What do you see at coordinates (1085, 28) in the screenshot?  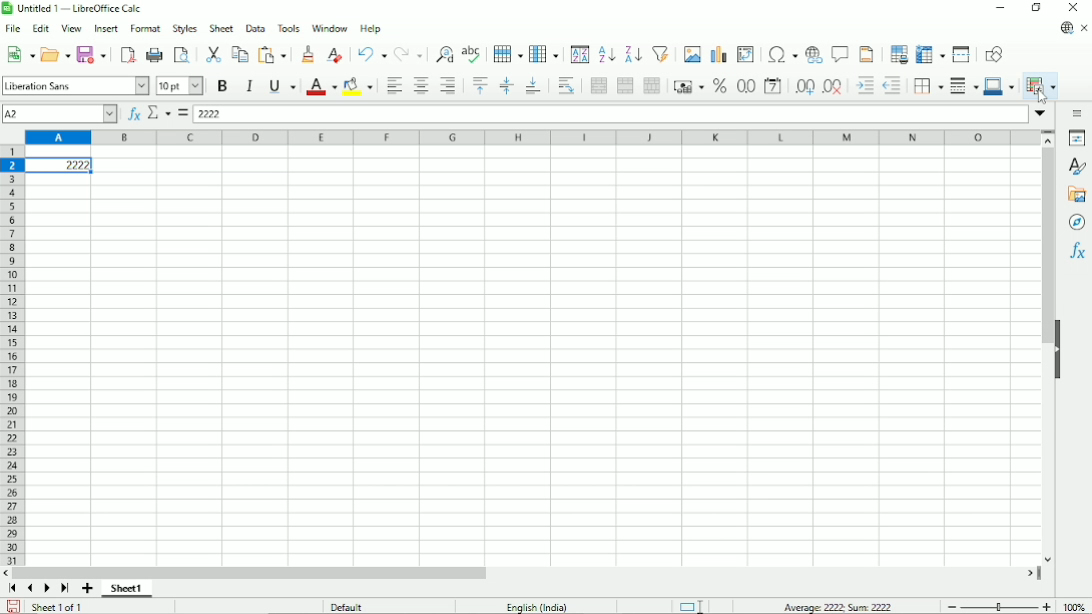 I see `Close document` at bounding box center [1085, 28].